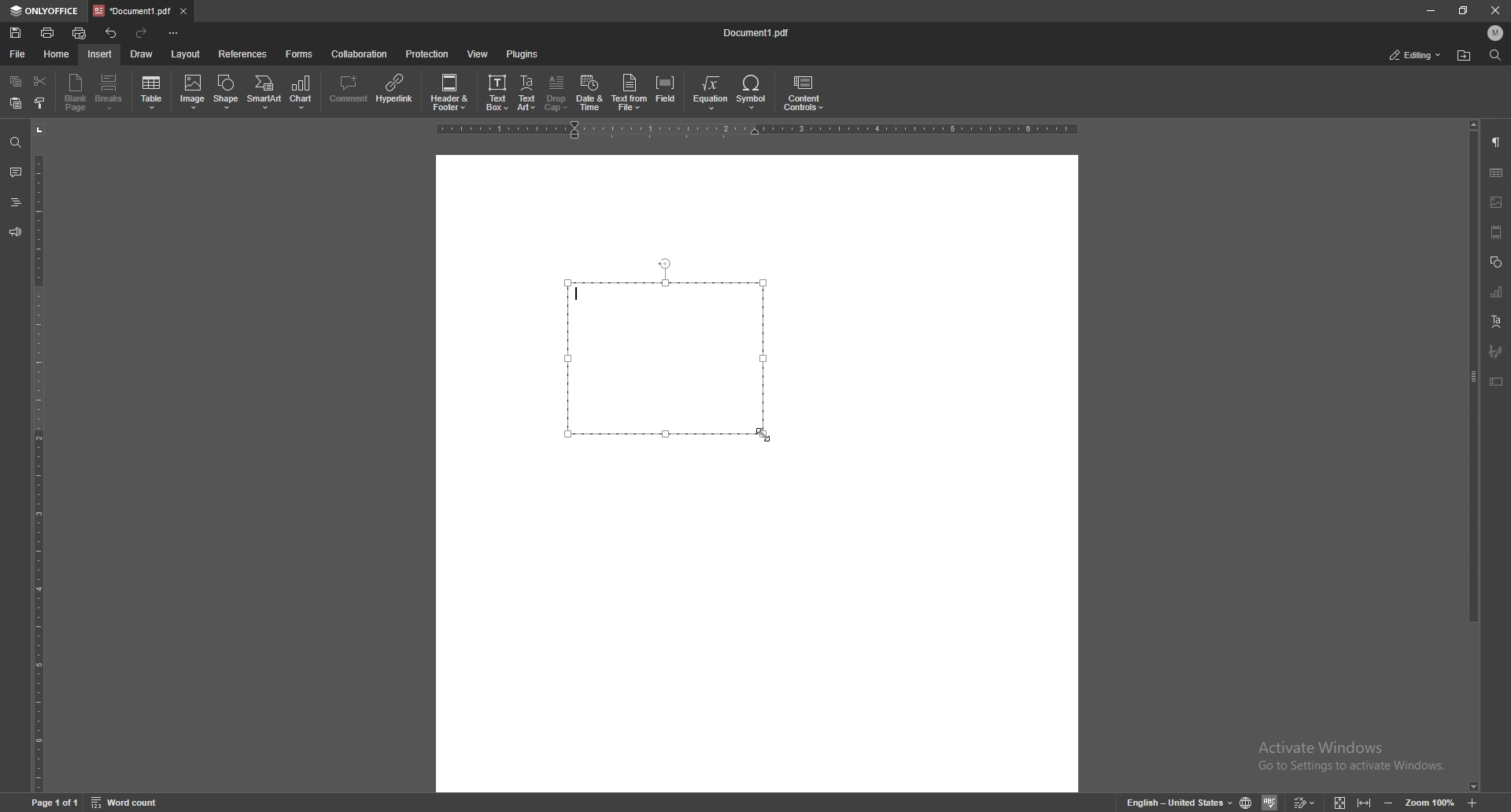 This screenshot has width=1511, height=812. What do you see at coordinates (1431, 10) in the screenshot?
I see `minimize` at bounding box center [1431, 10].